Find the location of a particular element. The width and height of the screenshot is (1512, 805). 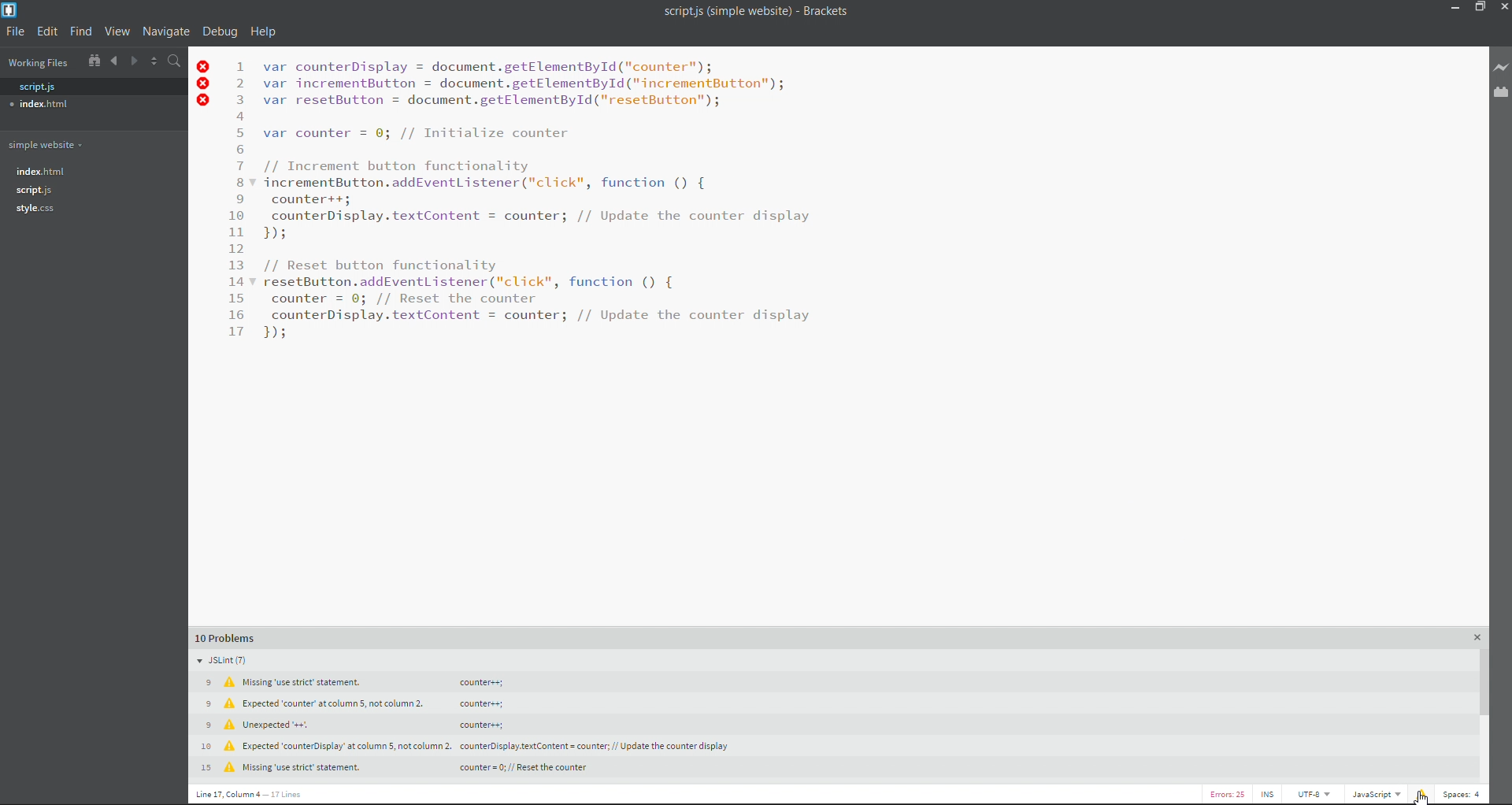

navigate forward is located at coordinates (135, 63).